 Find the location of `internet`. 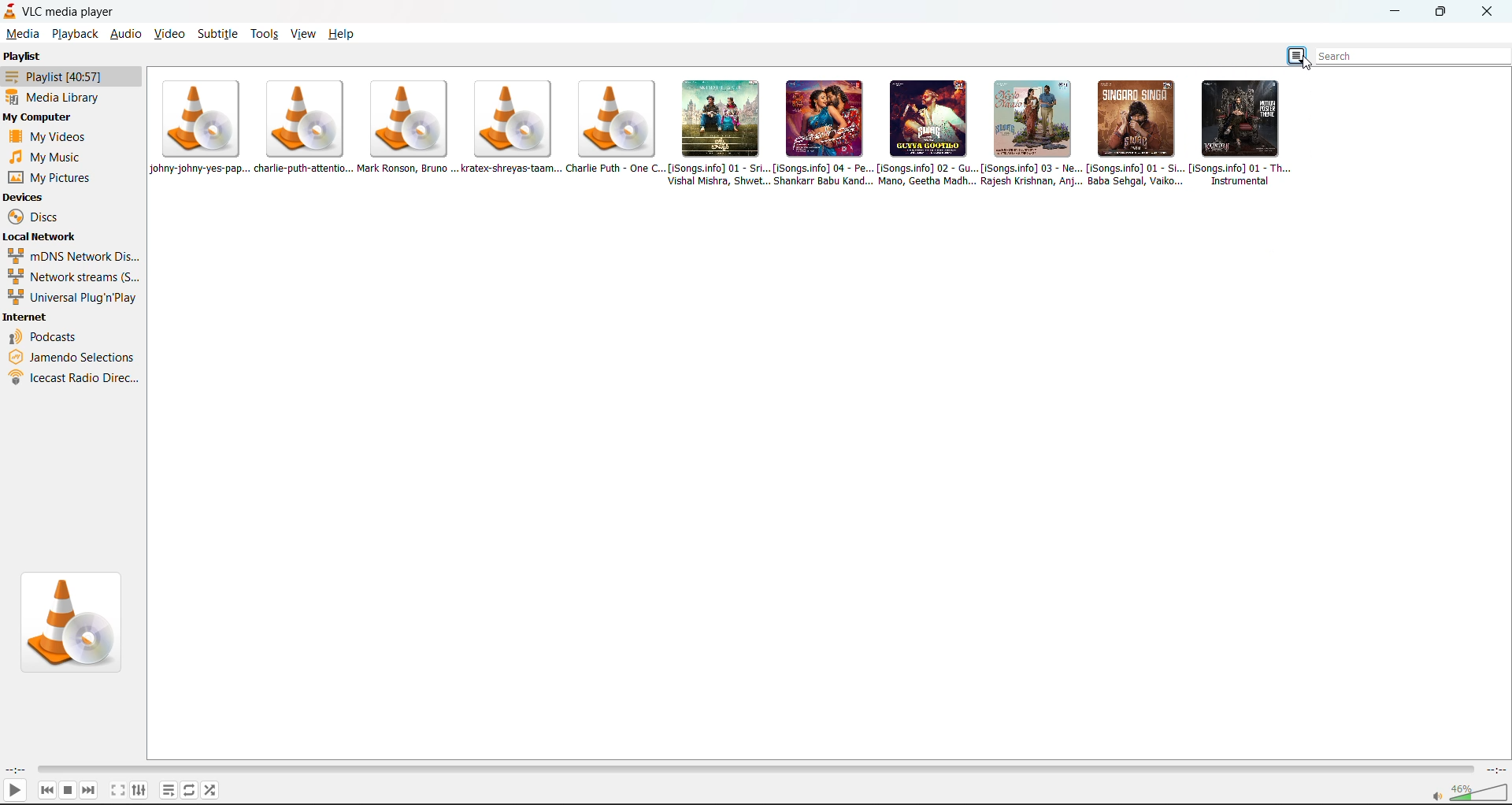

internet is located at coordinates (27, 319).